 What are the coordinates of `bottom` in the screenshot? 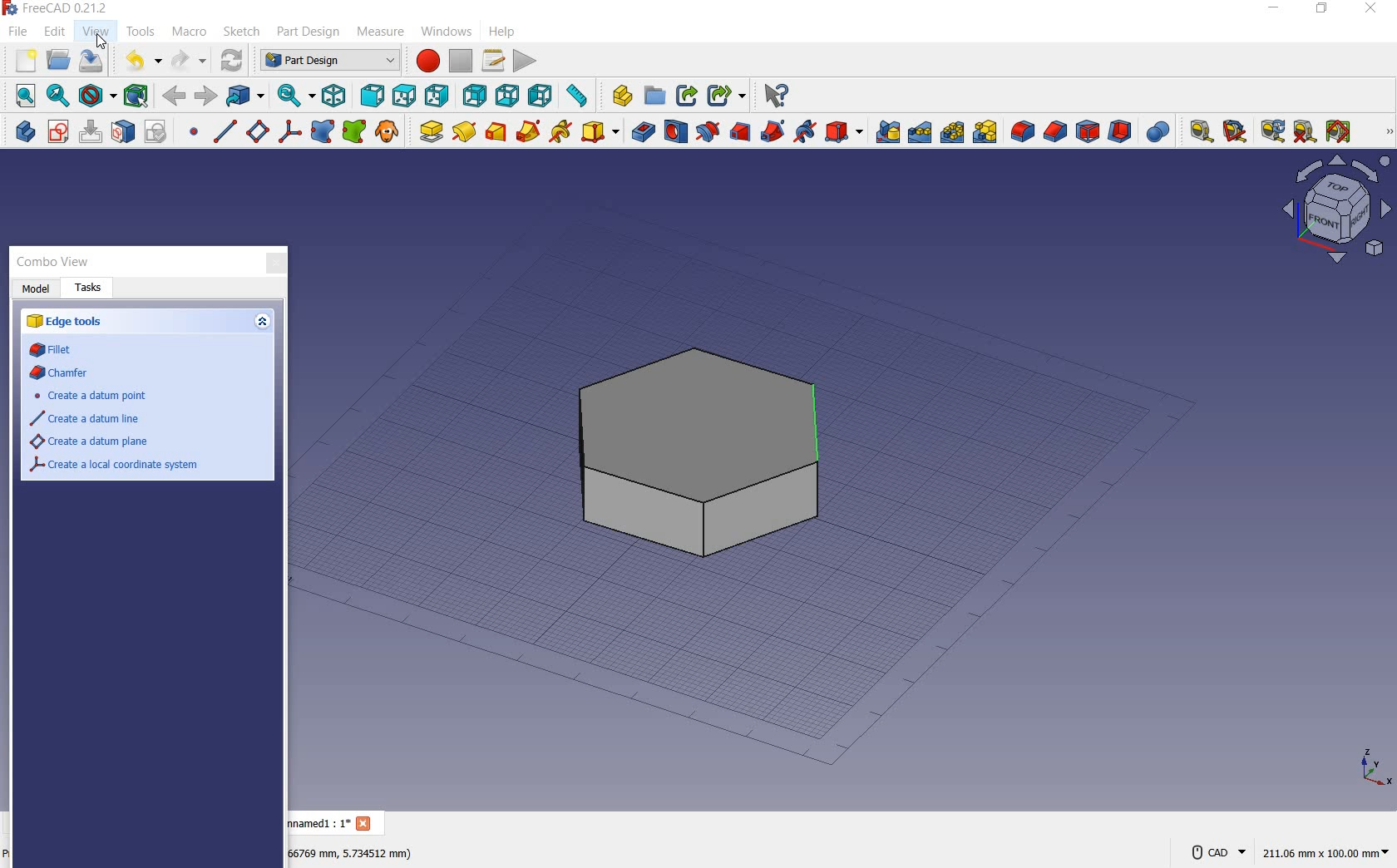 It's located at (510, 95).